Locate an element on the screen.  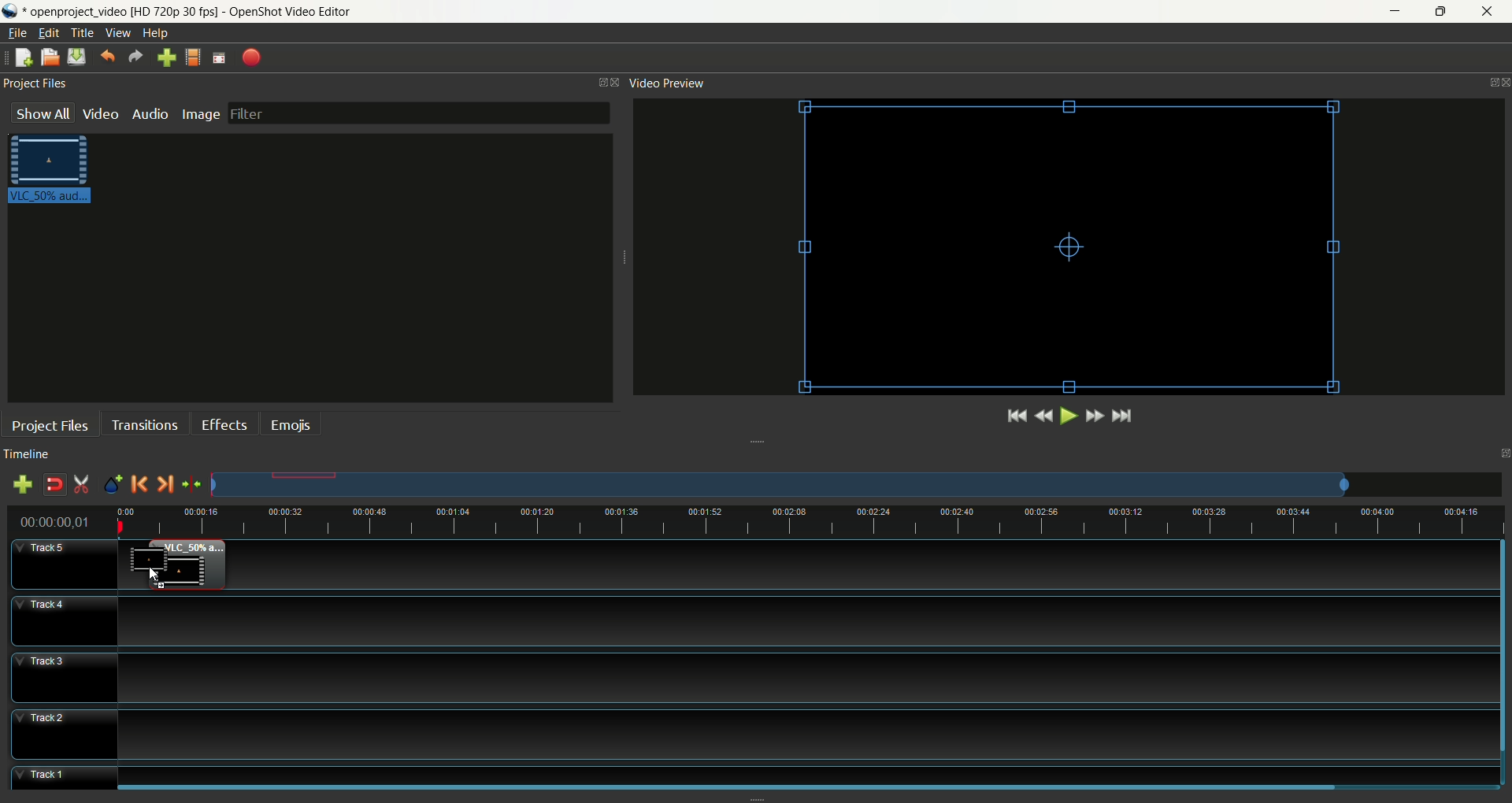
export video is located at coordinates (250, 57).